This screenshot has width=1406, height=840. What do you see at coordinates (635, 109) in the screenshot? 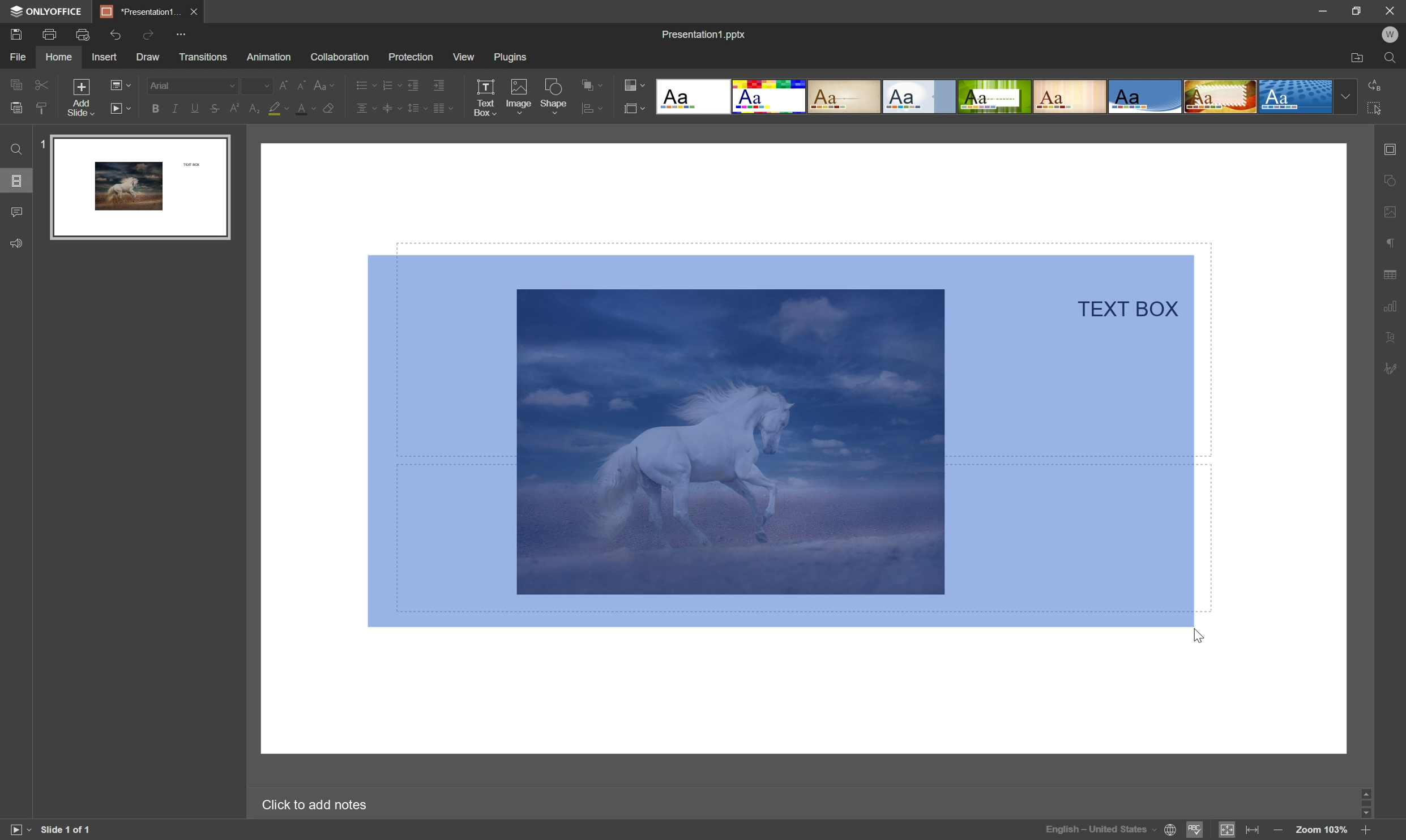
I see `select slide size` at bounding box center [635, 109].